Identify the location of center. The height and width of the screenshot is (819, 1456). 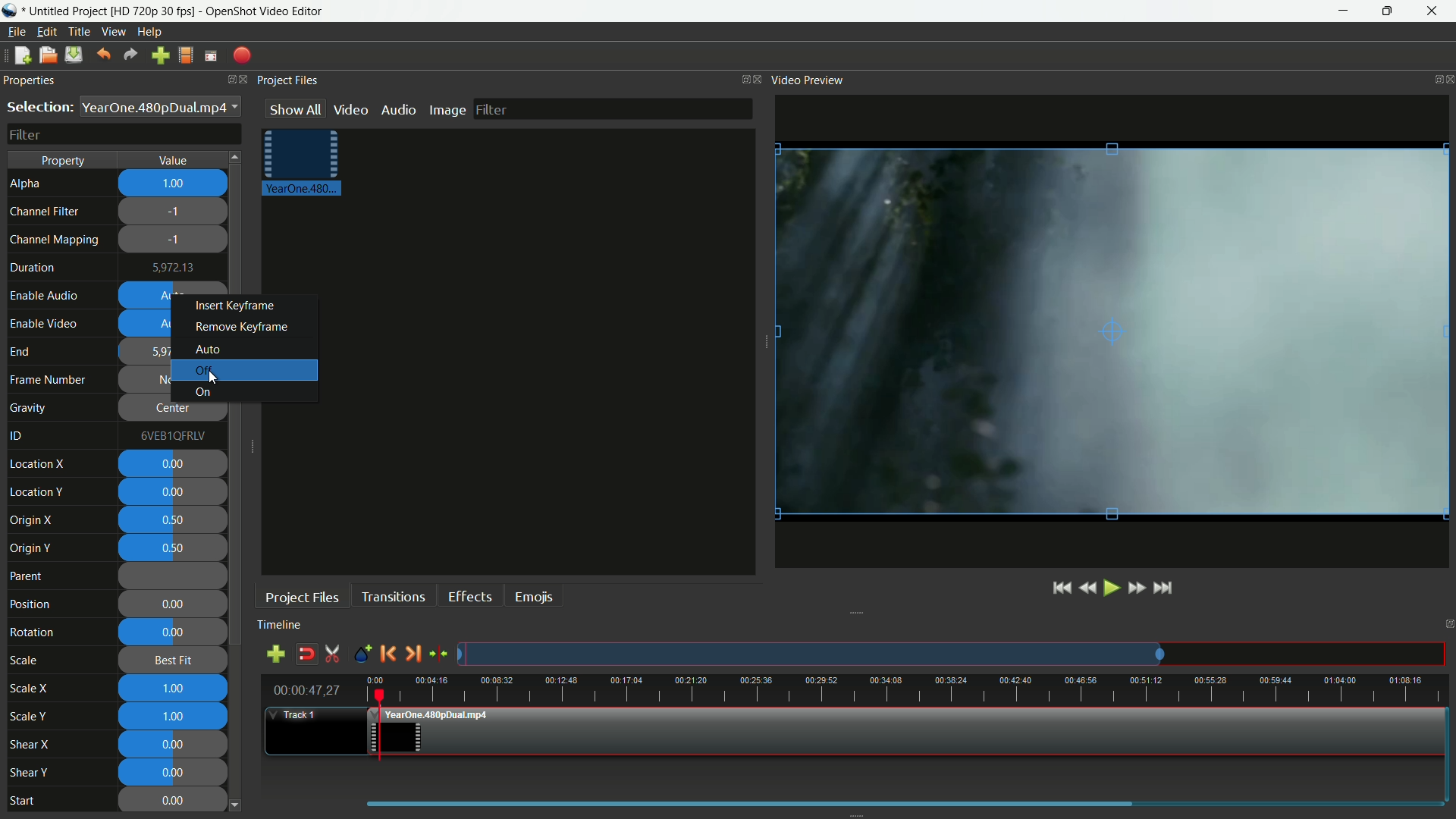
(171, 409).